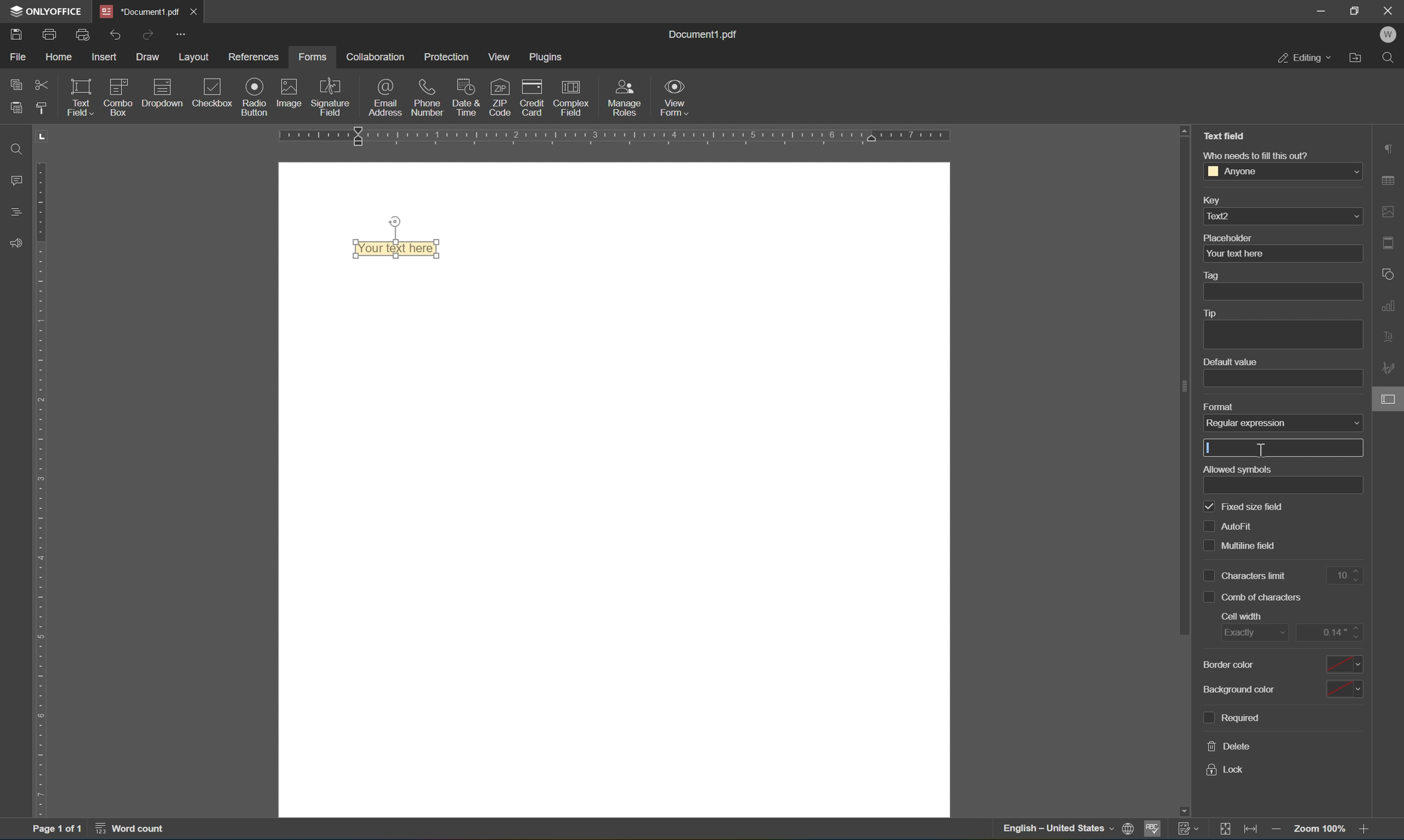 This screenshot has width=1404, height=840. I want to click on W, so click(1390, 34).